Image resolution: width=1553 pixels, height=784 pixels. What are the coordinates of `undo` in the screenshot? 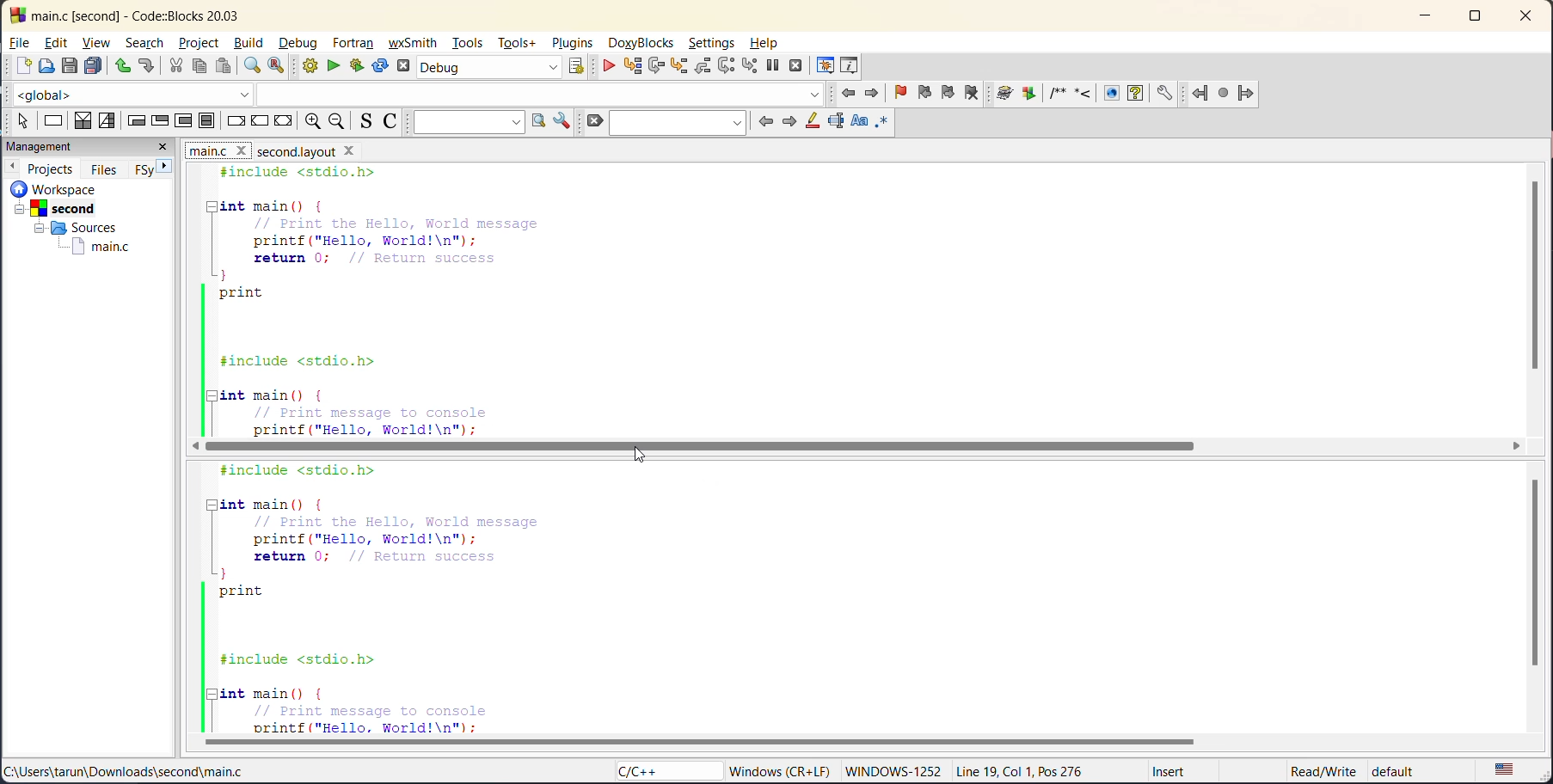 It's located at (122, 67).